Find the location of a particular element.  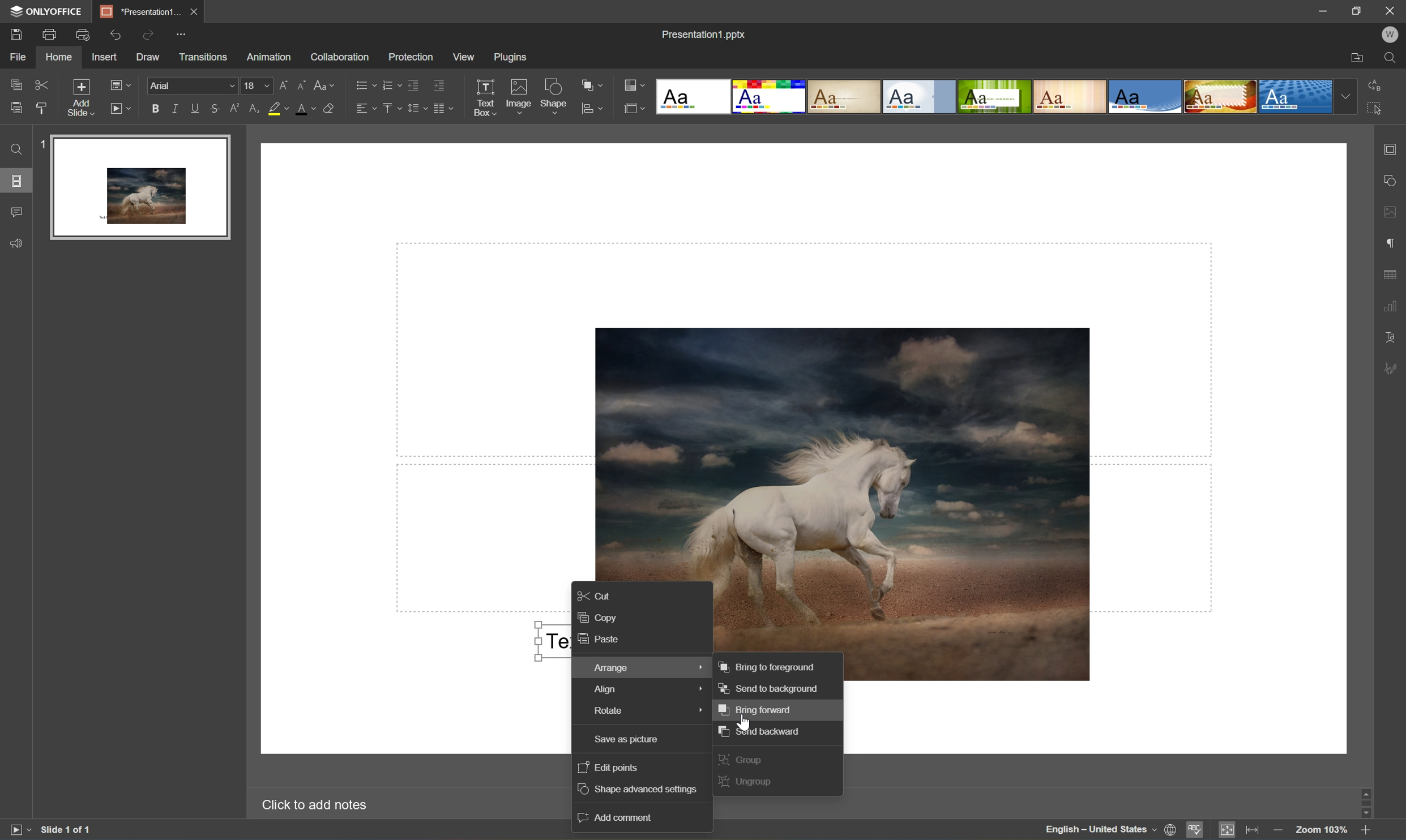

Bring forward is located at coordinates (756, 709).